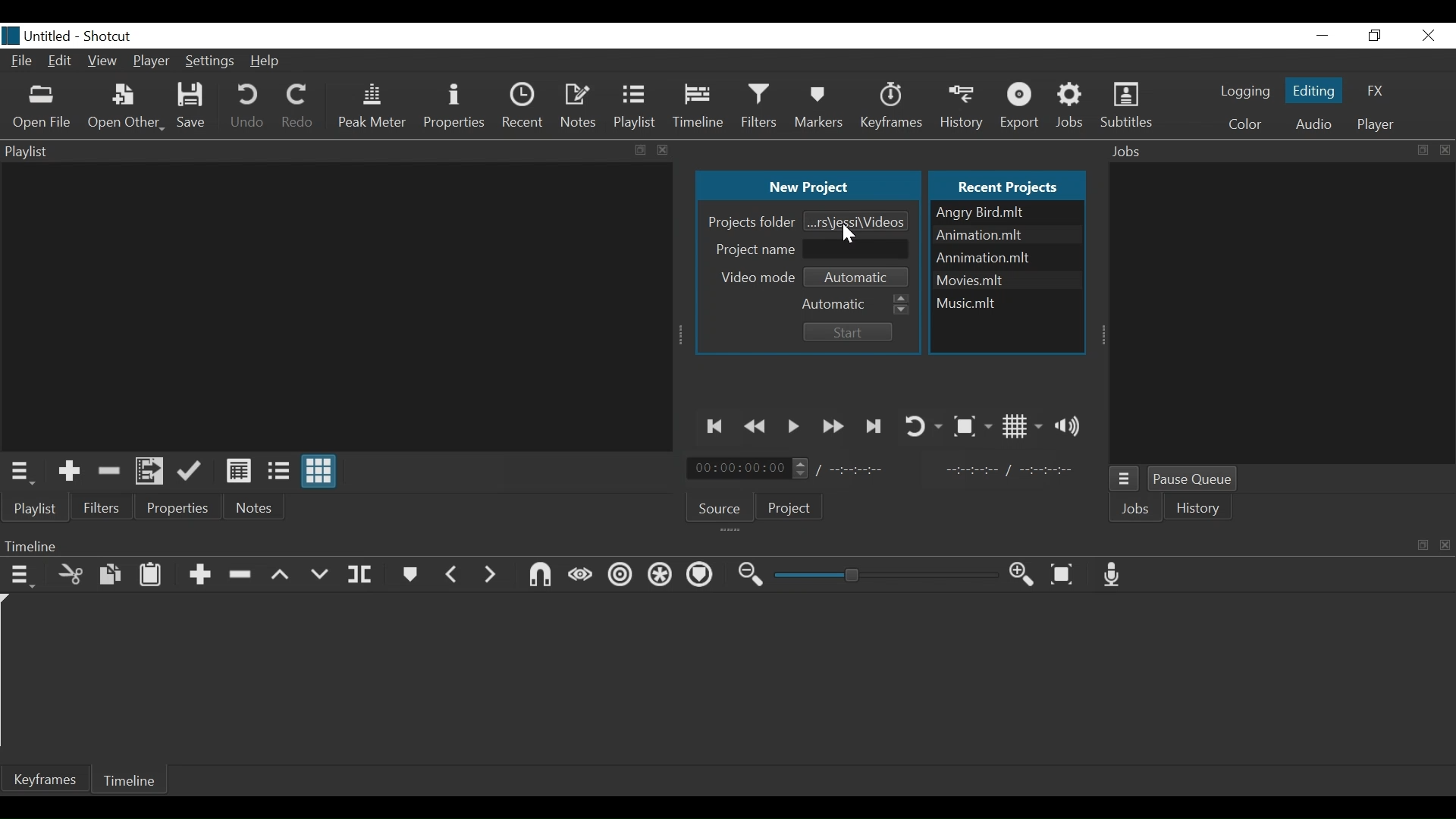 This screenshot has width=1456, height=819. I want to click on Ripple all tracks, so click(661, 576).